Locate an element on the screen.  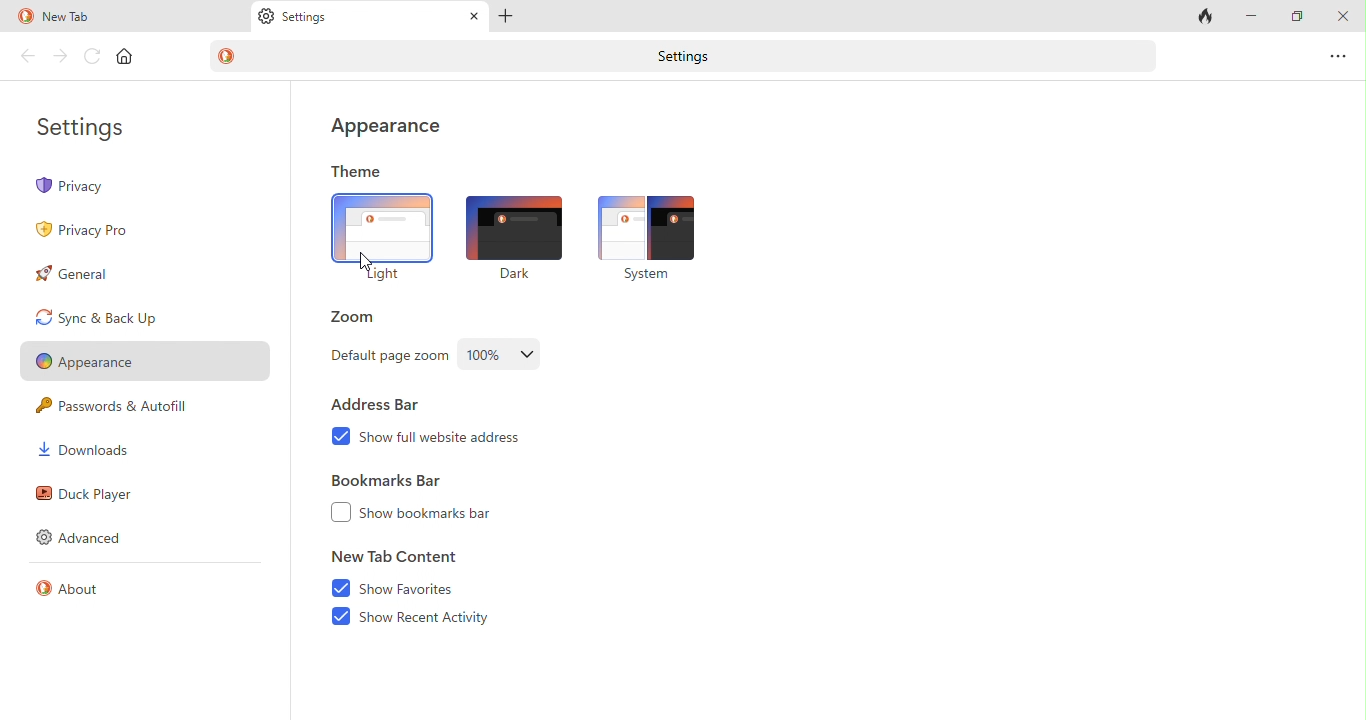
show full address is located at coordinates (464, 444).